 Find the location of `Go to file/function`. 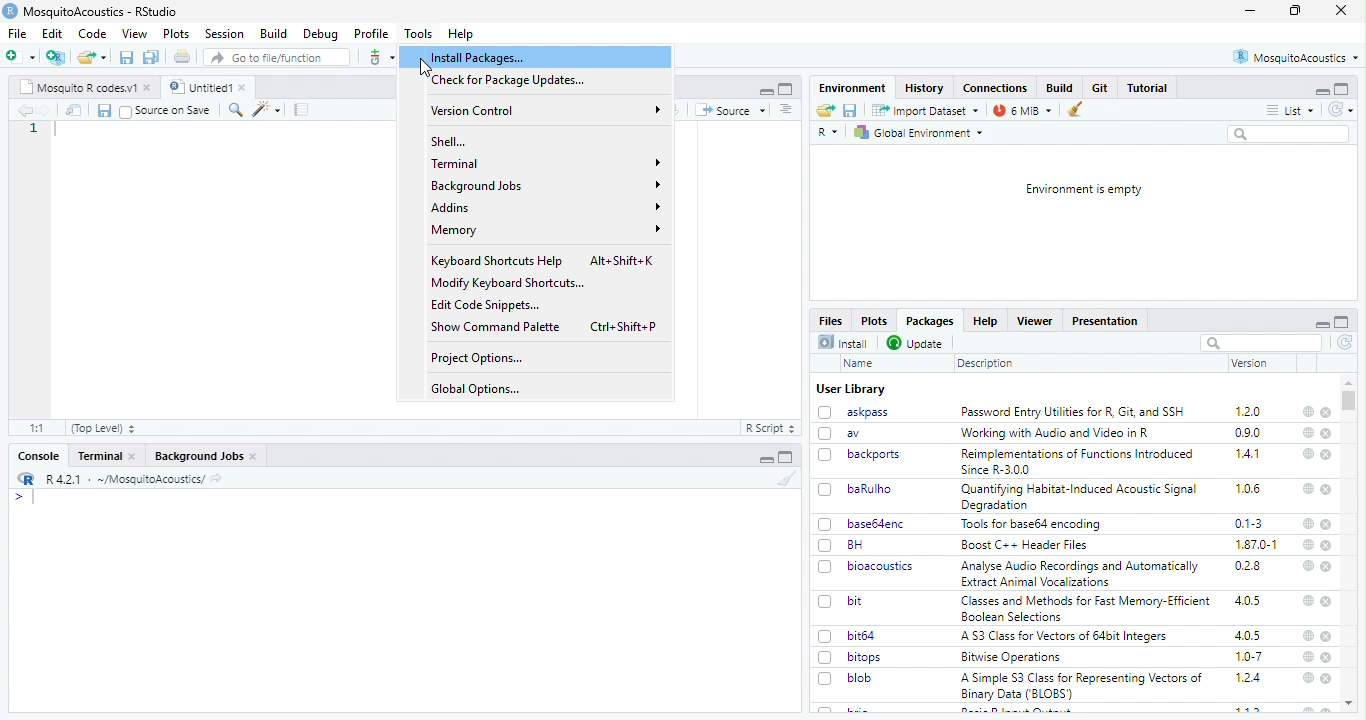

Go to file/function is located at coordinates (275, 57).